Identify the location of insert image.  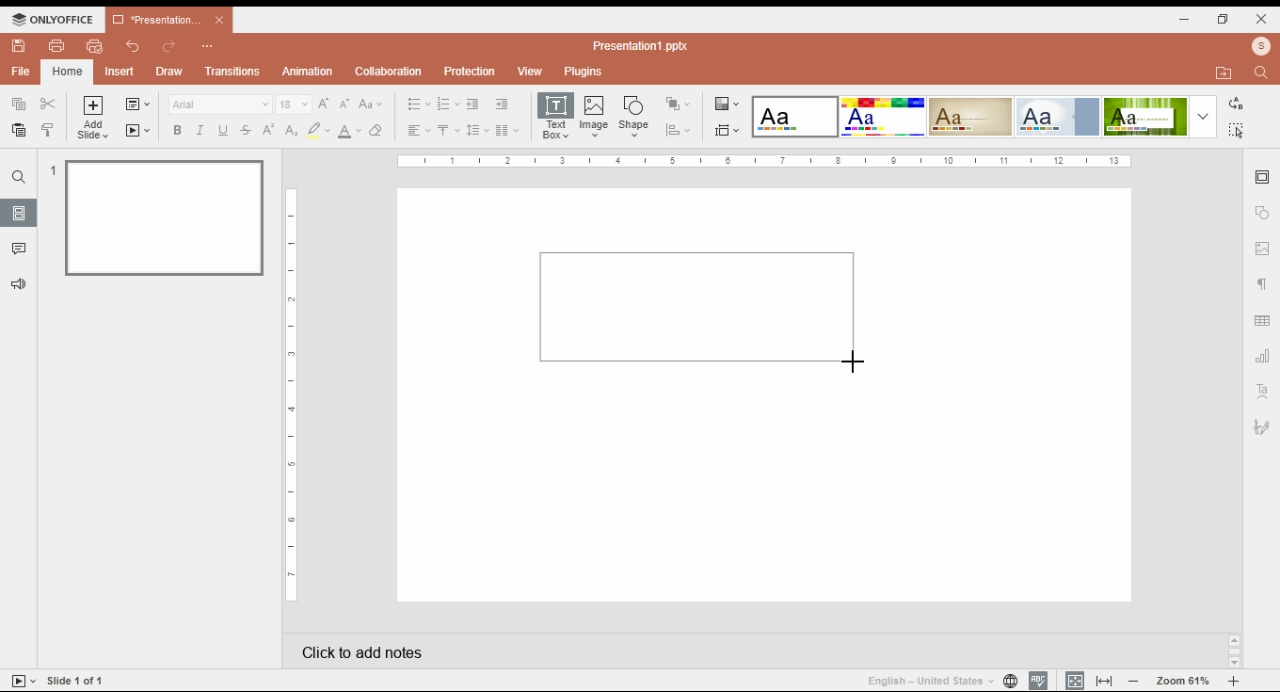
(595, 118).